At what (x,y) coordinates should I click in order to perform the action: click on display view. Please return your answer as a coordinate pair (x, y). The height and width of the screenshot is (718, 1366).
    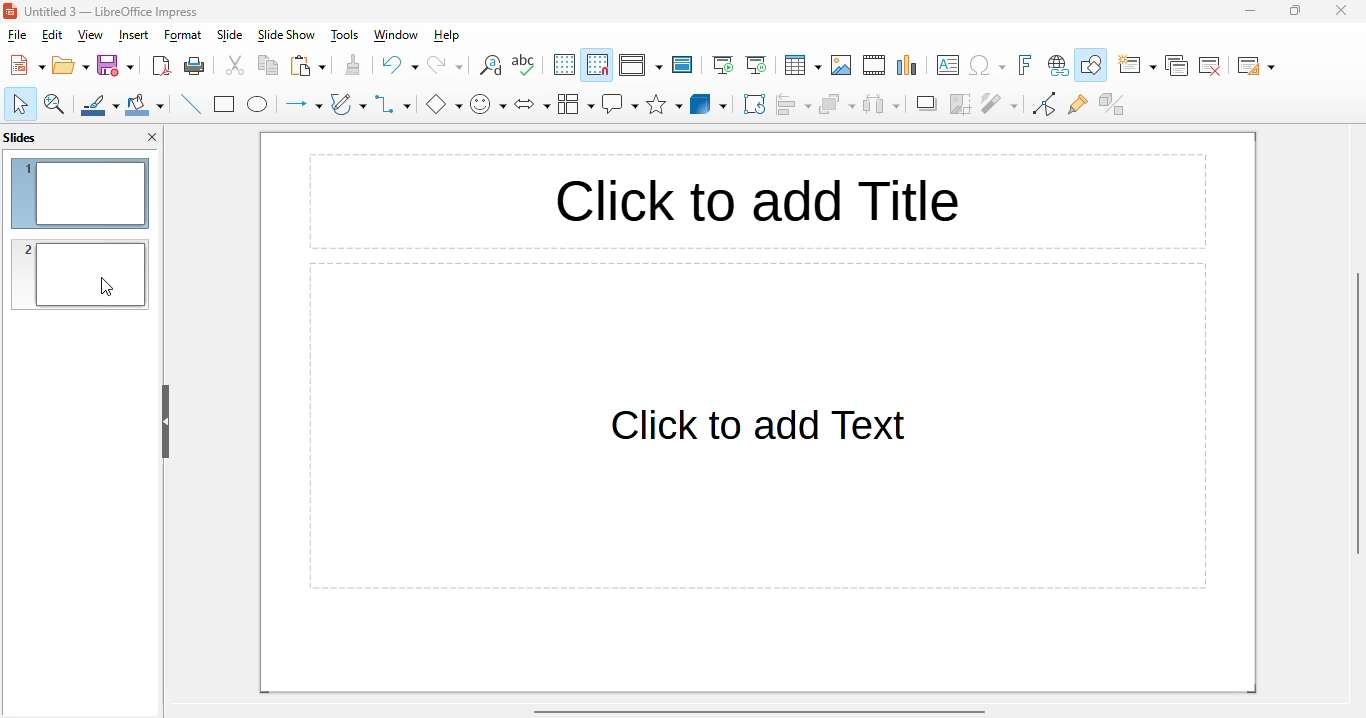
    Looking at the image, I should click on (640, 65).